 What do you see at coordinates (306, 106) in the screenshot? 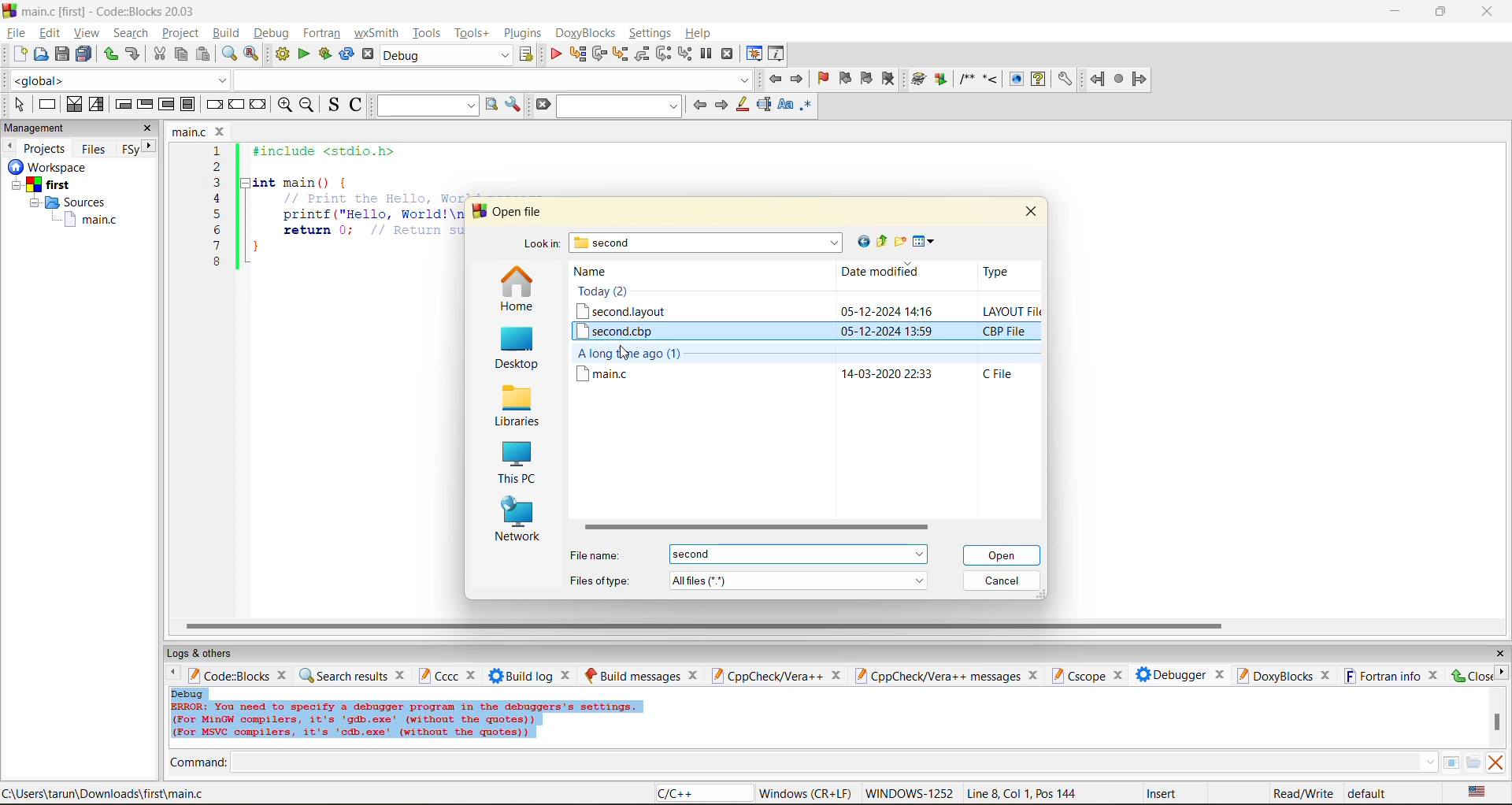
I see `zoom out` at bounding box center [306, 106].